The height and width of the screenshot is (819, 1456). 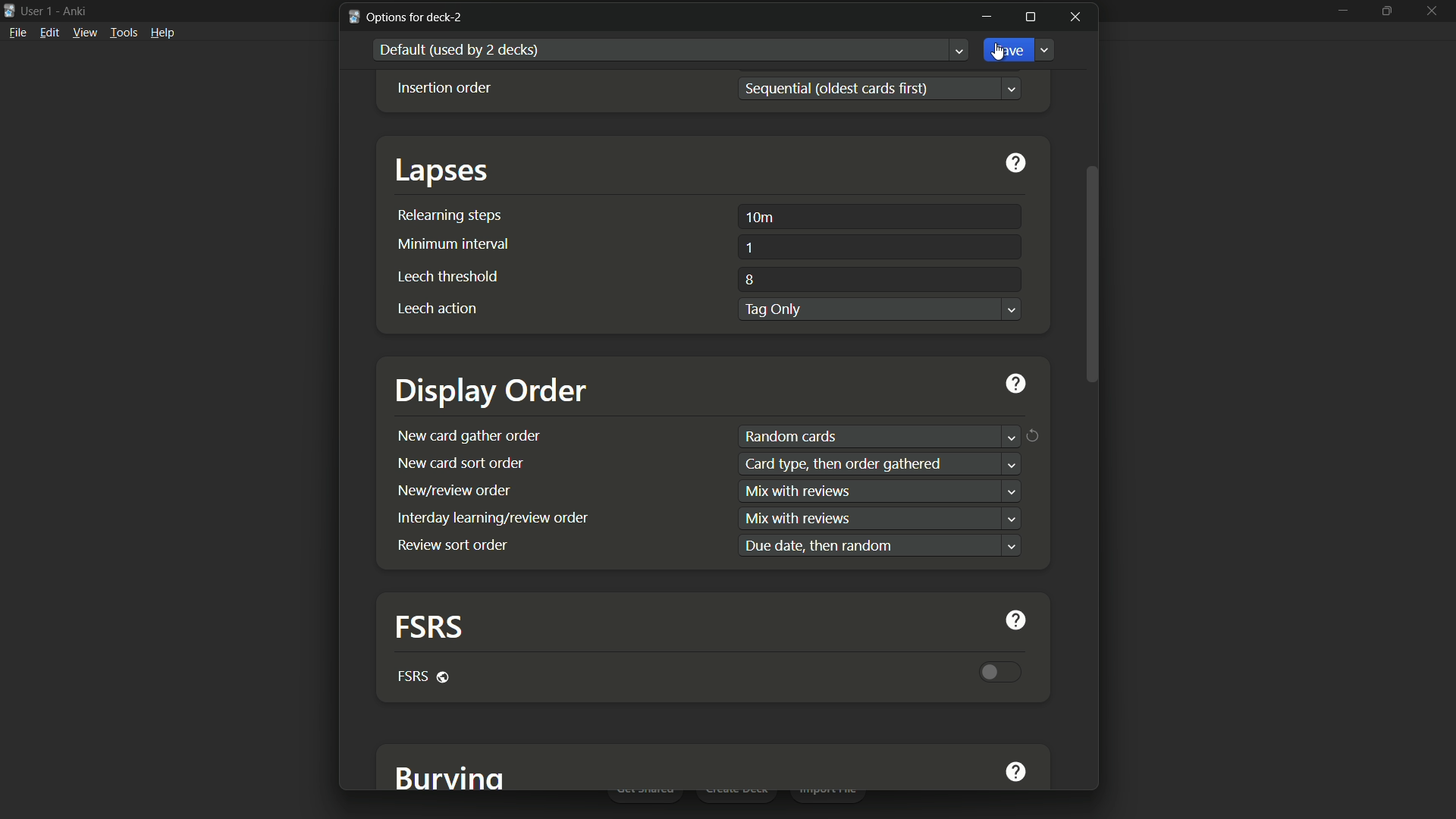 What do you see at coordinates (846, 86) in the screenshot?
I see `sequential(oldest cards first)` at bounding box center [846, 86].